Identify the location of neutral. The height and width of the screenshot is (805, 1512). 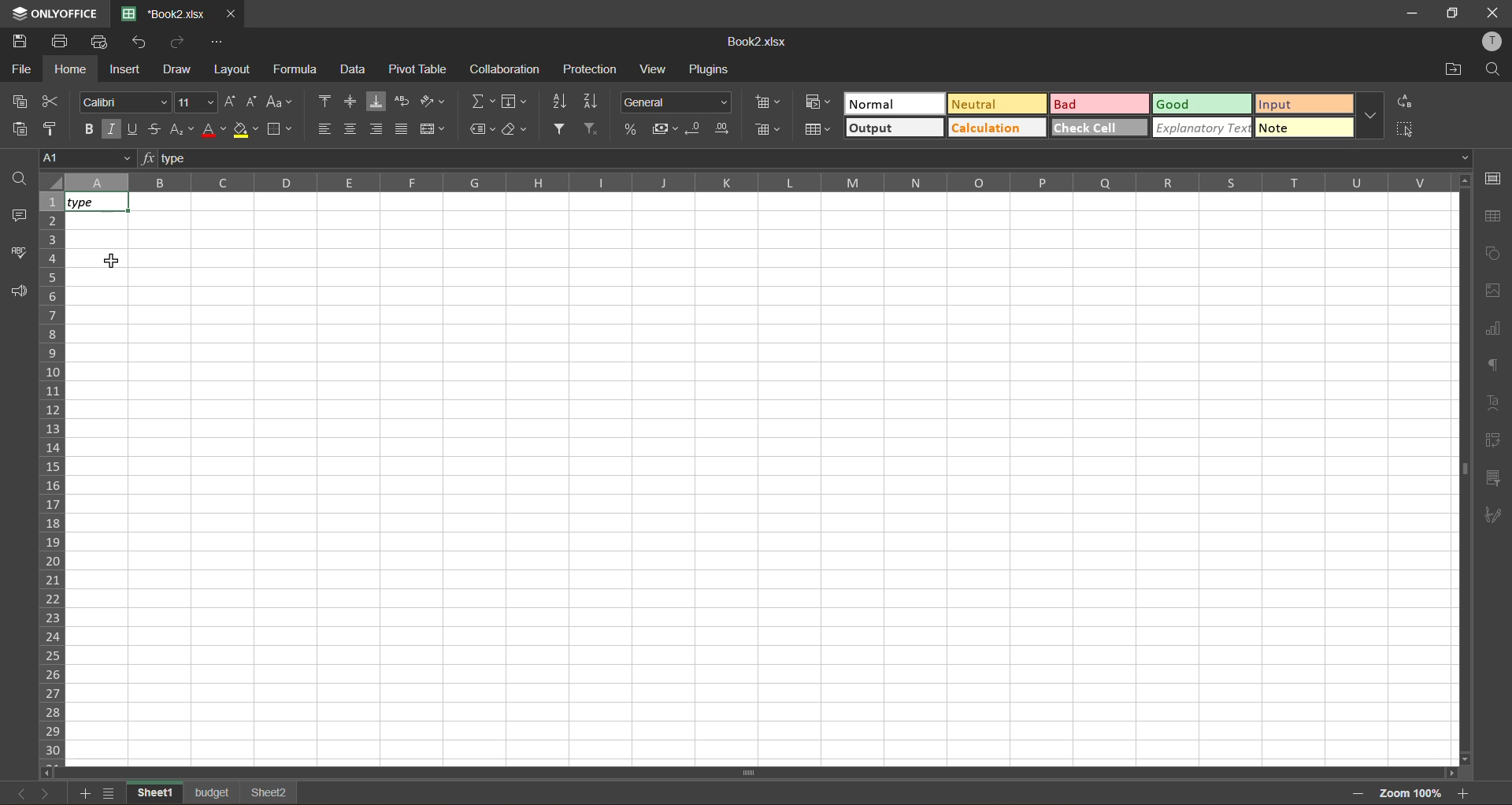
(995, 105).